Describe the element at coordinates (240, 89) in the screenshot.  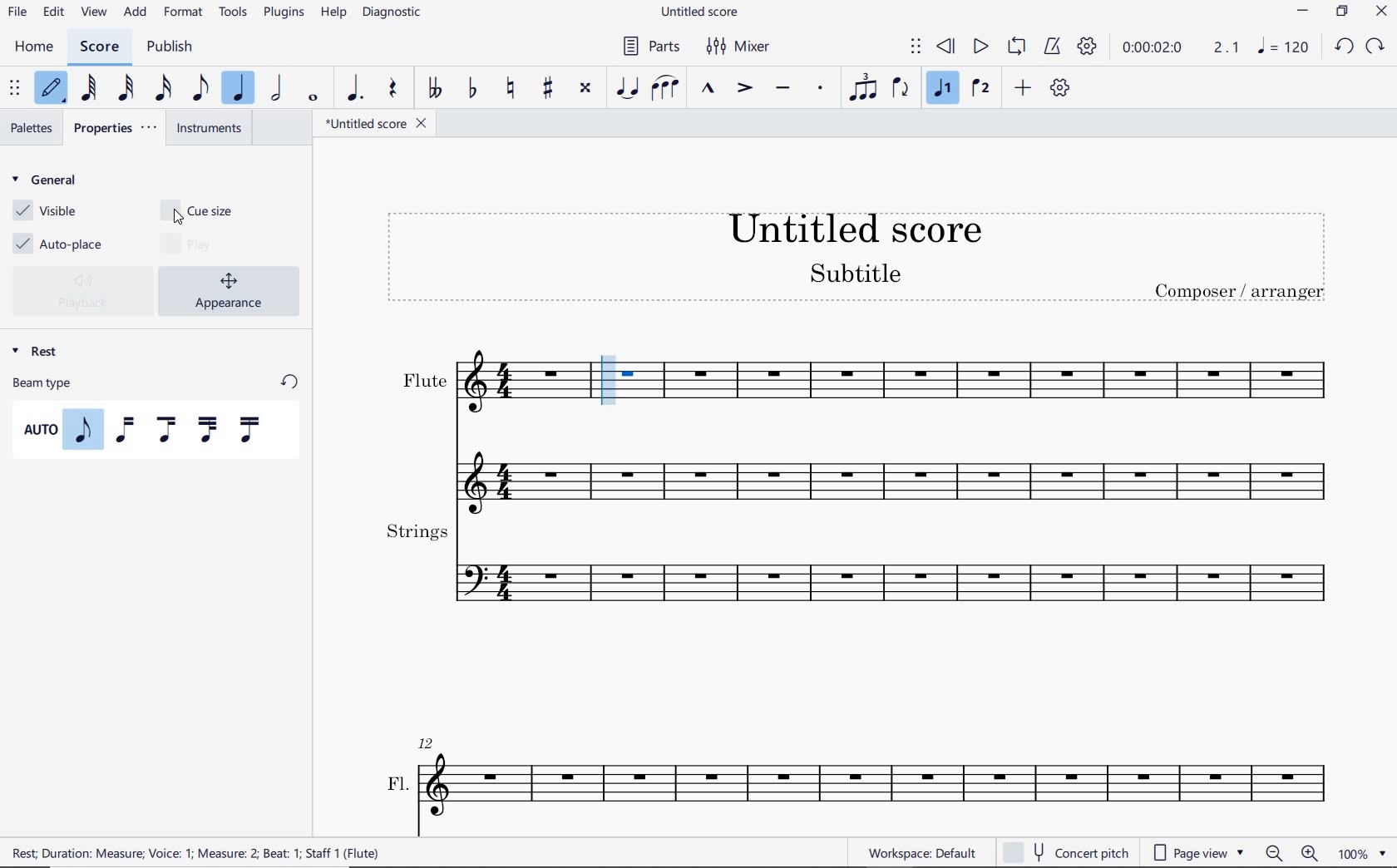
I see `QUARTER NOTE` at that location.